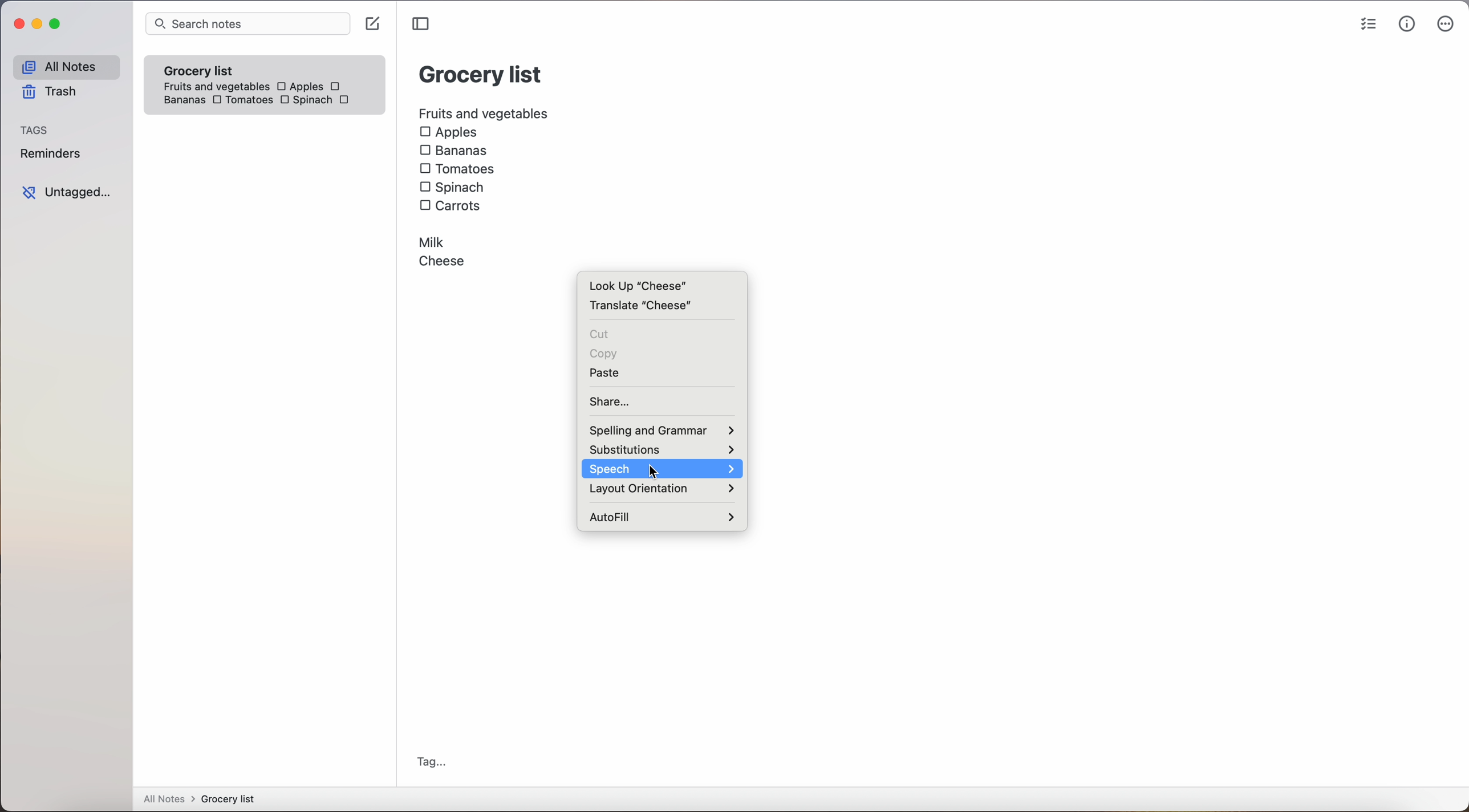  Describe the element at coordinates (1364, 24) in the screenshot. I see `check list` at that location.